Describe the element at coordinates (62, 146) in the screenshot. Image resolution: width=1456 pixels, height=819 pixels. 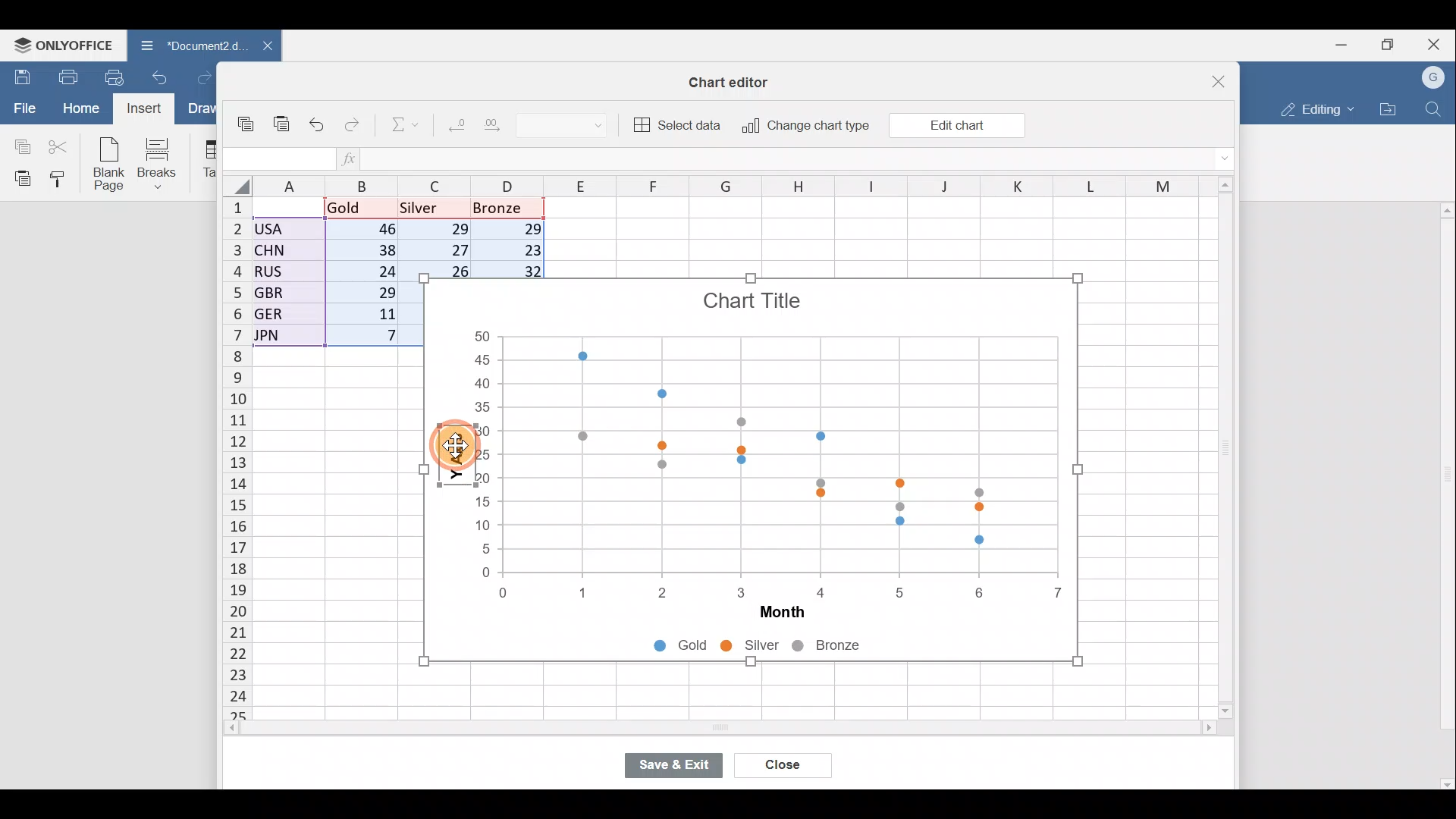
I see `Cut` at that location.